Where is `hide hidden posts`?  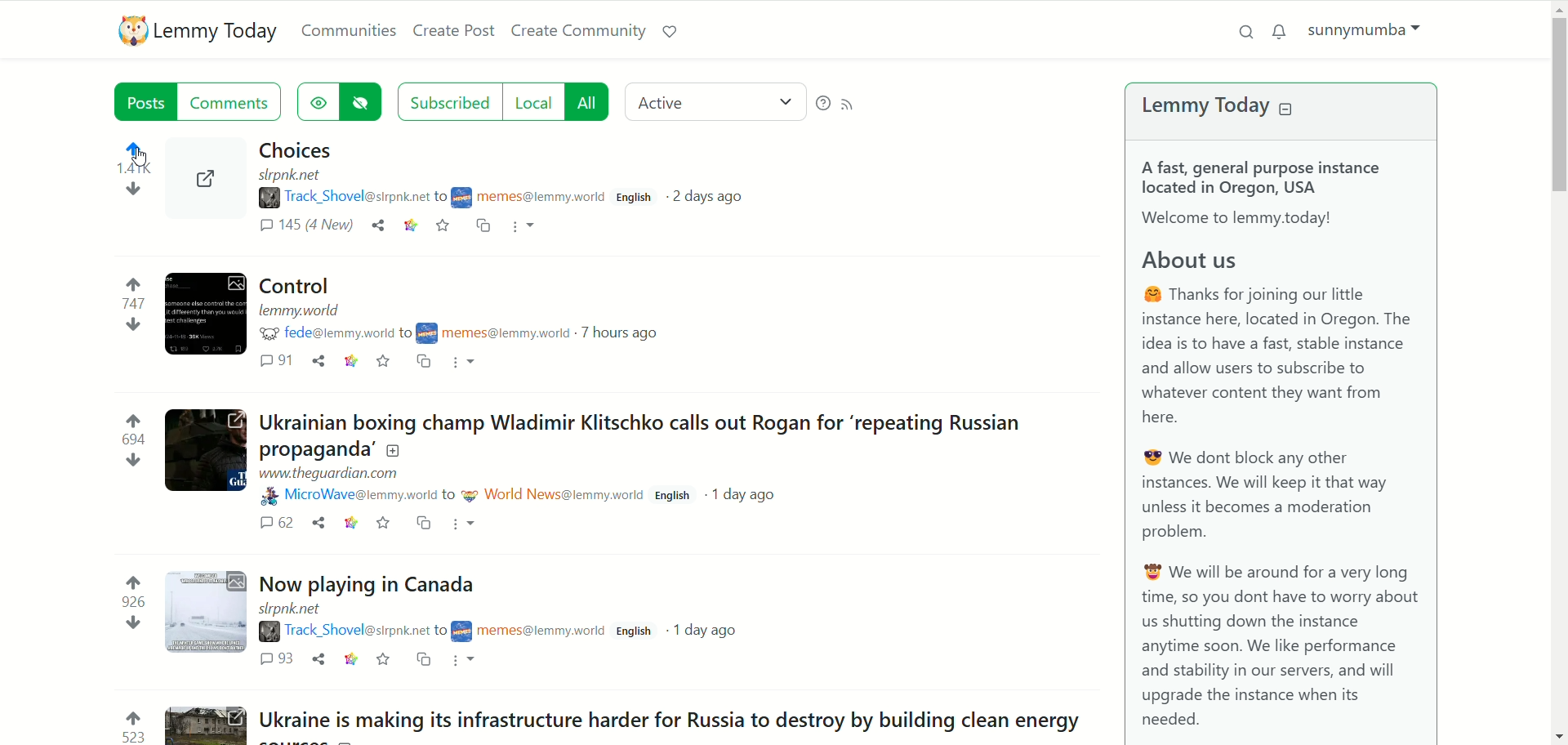
hide hidden posts is located at coordinates (363, 101).